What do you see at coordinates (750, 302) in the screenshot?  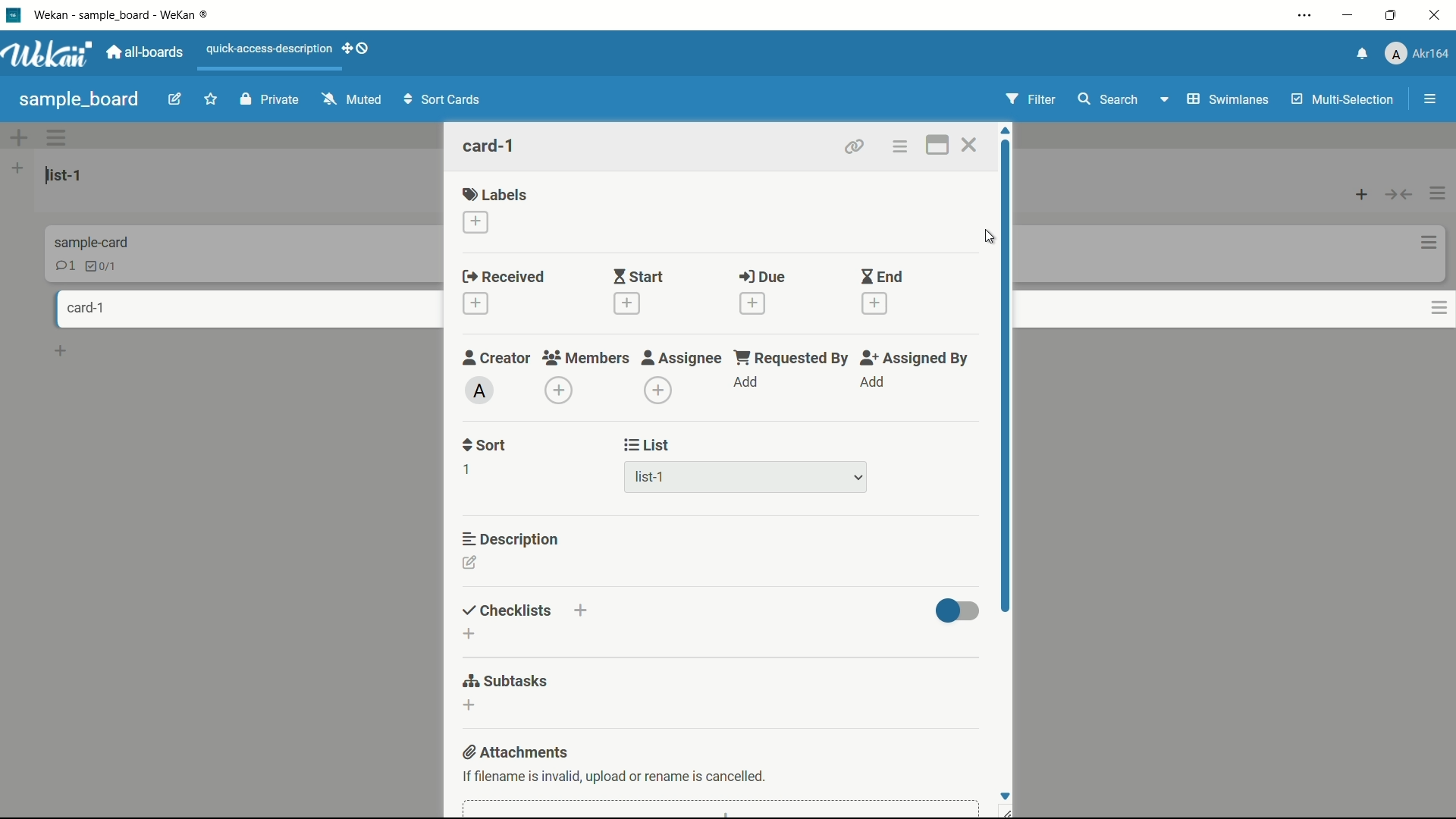 I see `add date` at bounding box center [750, 302].